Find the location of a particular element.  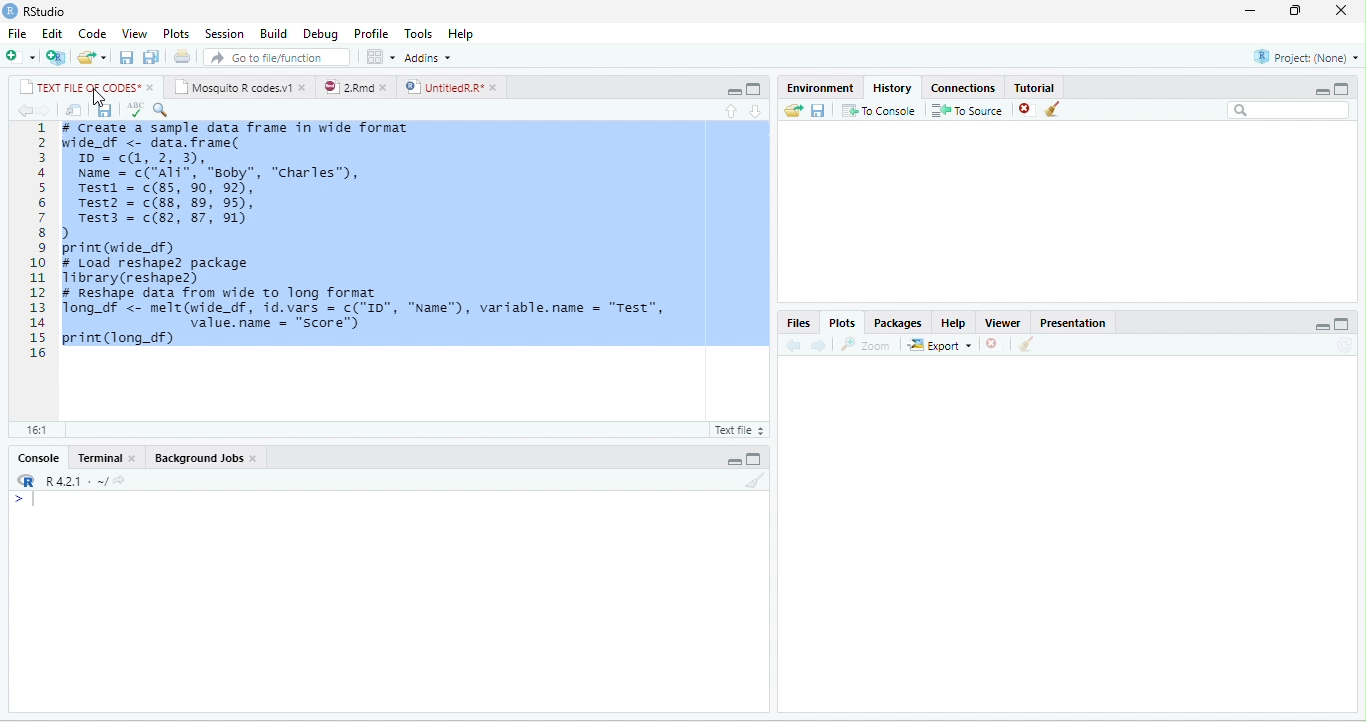

Code is located at coordinates (92, 34).